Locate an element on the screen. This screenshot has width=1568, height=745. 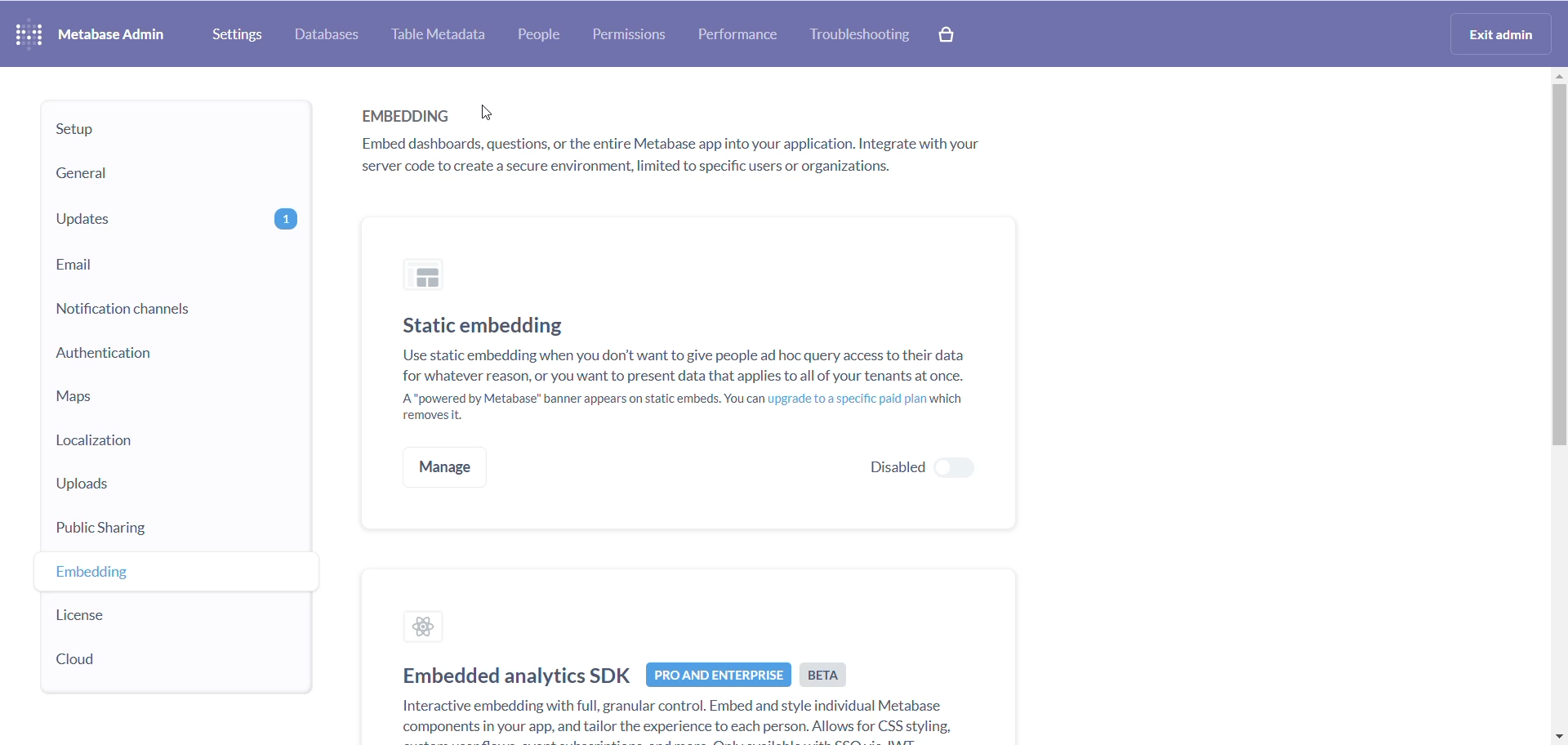
updates is located at coordinates (170, 224).